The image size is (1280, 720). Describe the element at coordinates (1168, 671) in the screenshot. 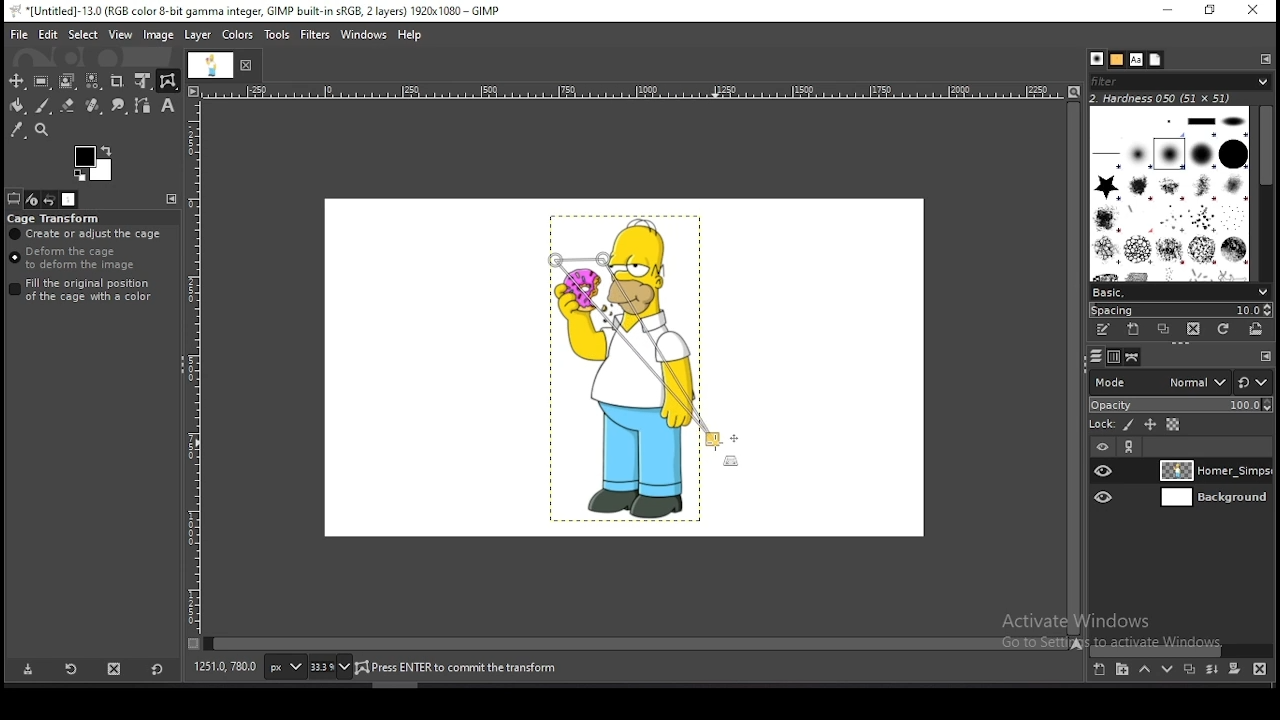

I see `move layer one step down` at that location.